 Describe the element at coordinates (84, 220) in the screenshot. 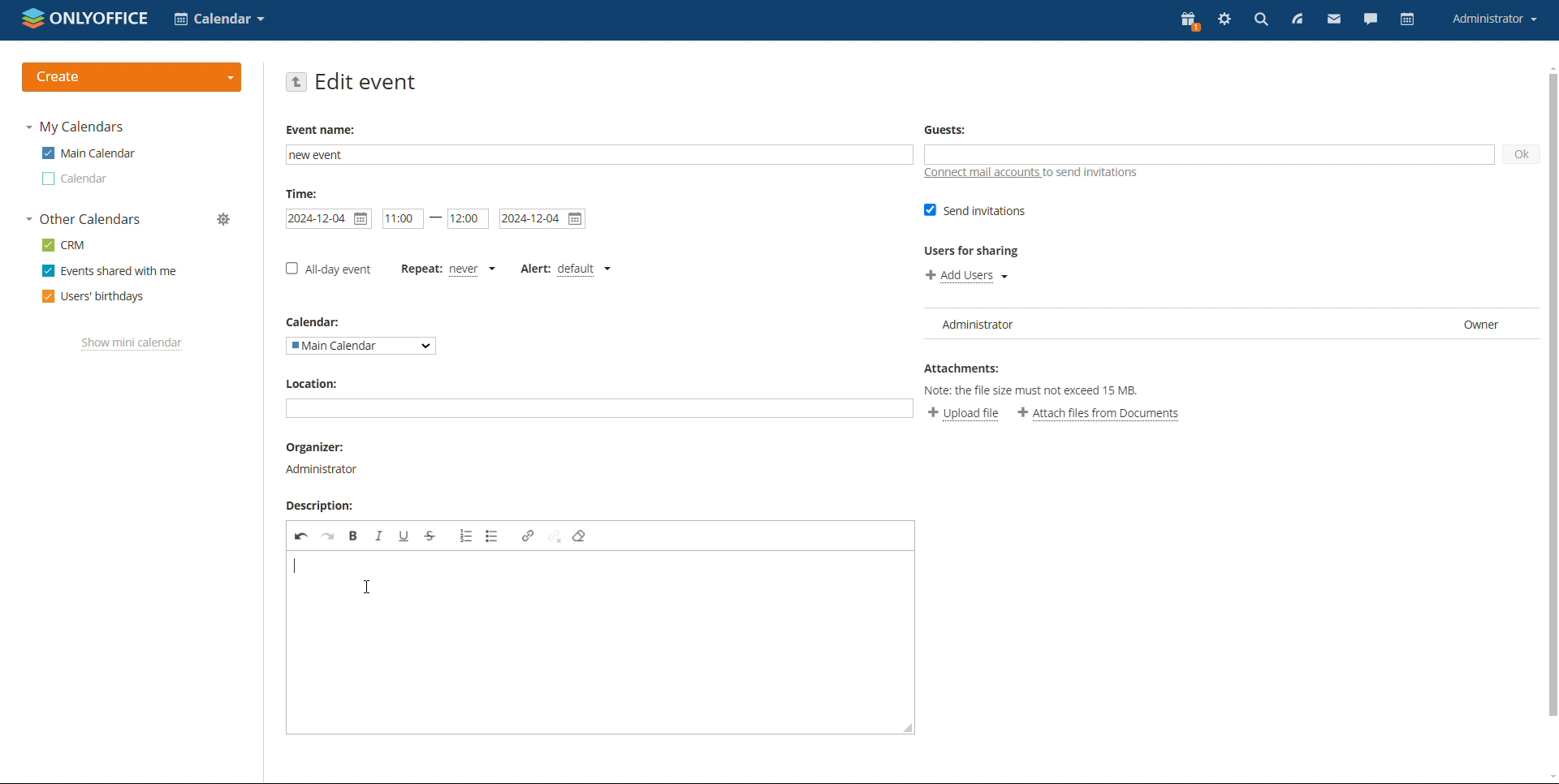

I see `other calendars` at that location.